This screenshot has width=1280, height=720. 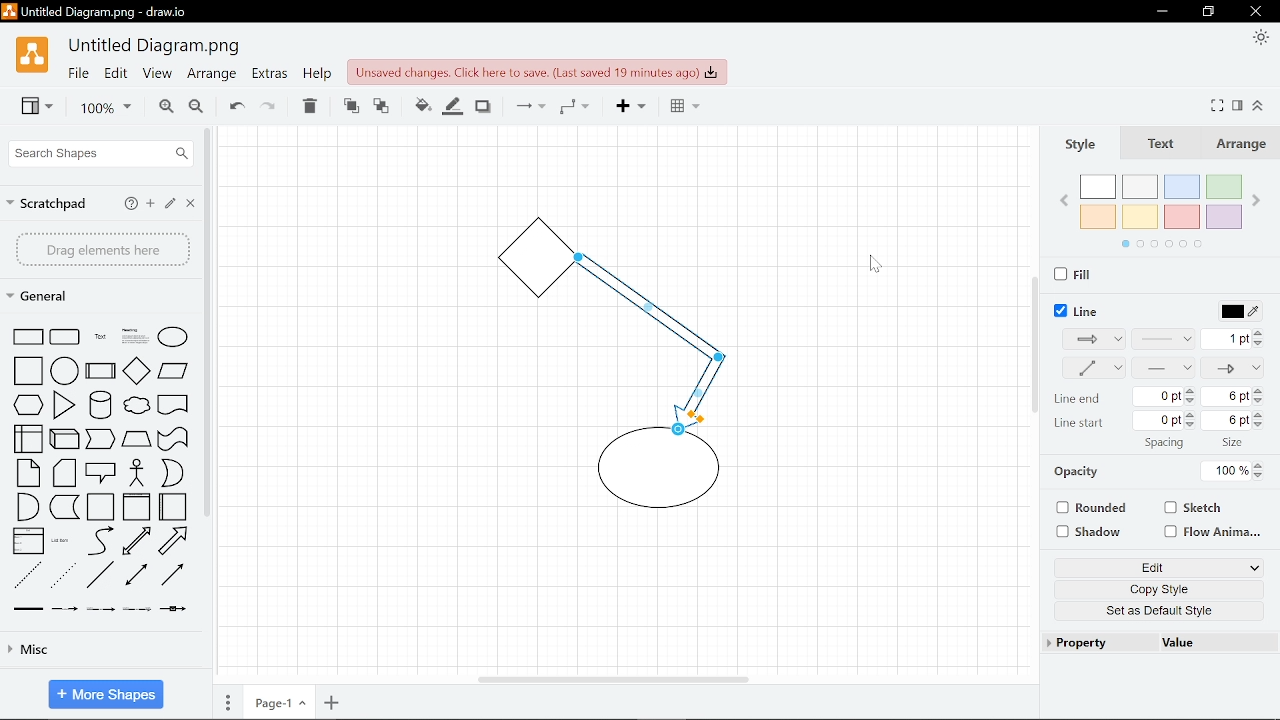 I want to click on shape, so click(x=173, y=336).